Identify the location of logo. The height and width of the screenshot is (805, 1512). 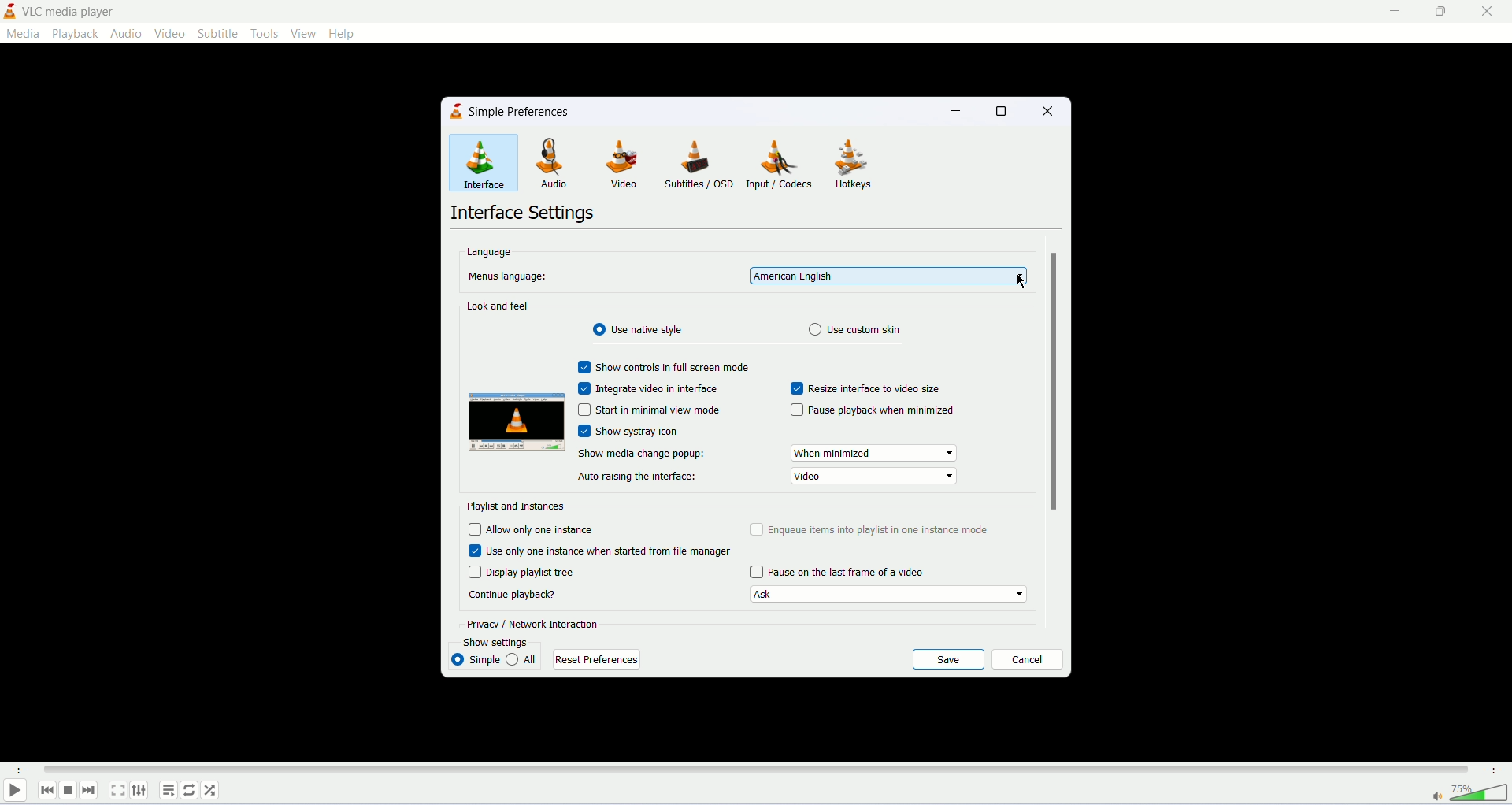
(456, 112).